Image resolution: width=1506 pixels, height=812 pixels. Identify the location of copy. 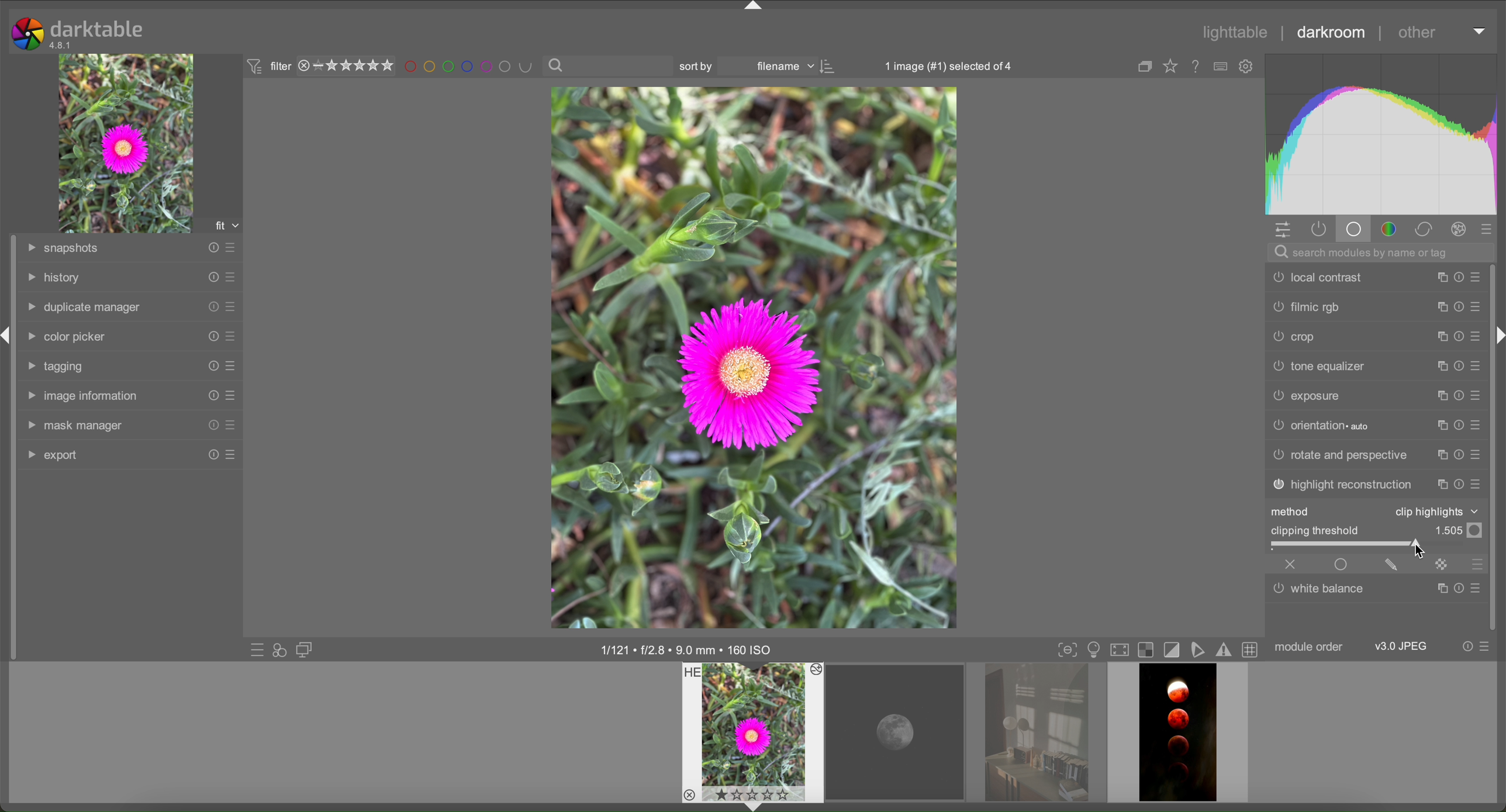
(1145, 67).